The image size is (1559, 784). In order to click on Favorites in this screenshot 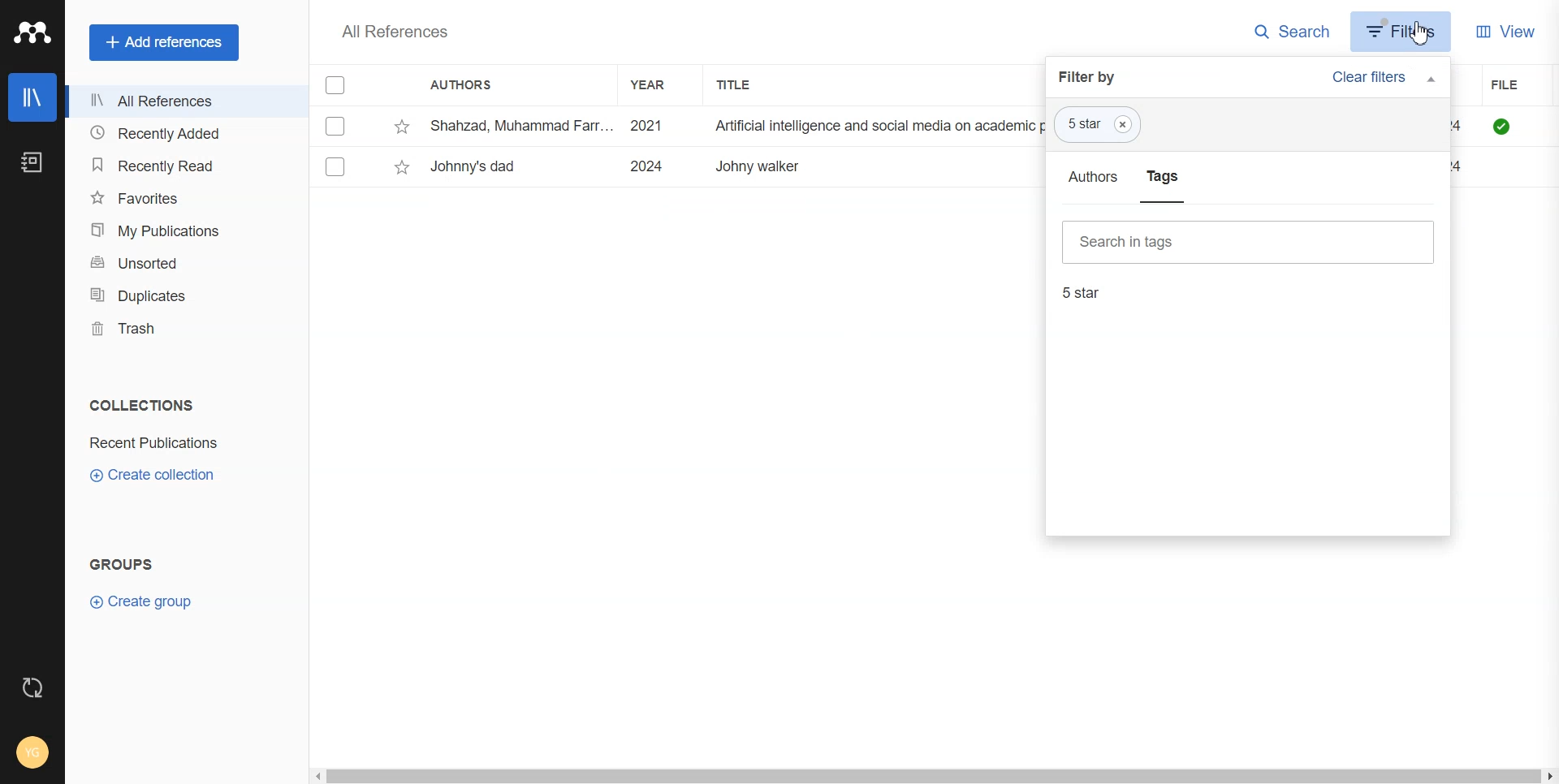, I will do `click(182, 196)`.